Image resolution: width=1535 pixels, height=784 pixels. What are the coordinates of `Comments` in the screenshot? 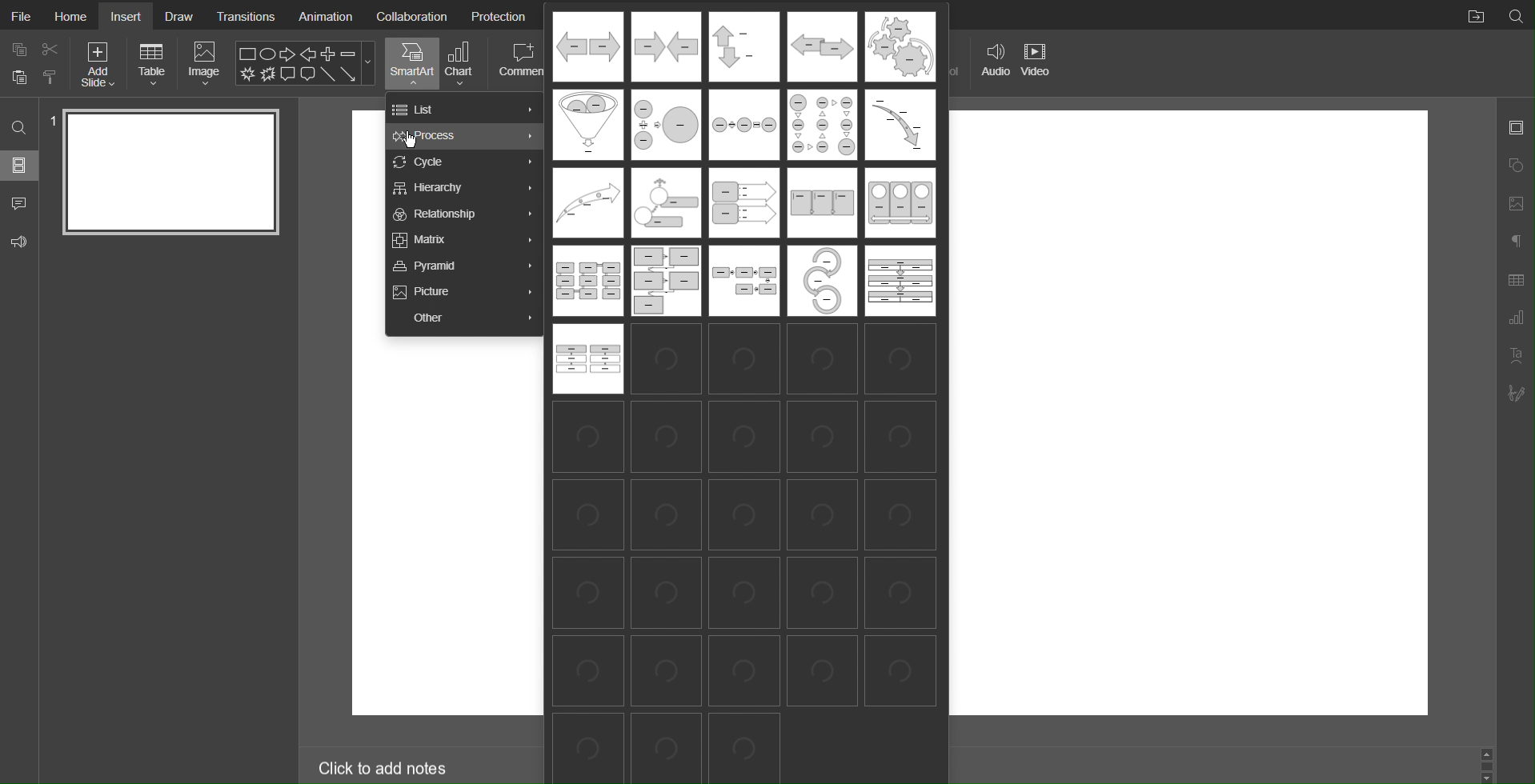 It's located at (20, 202).